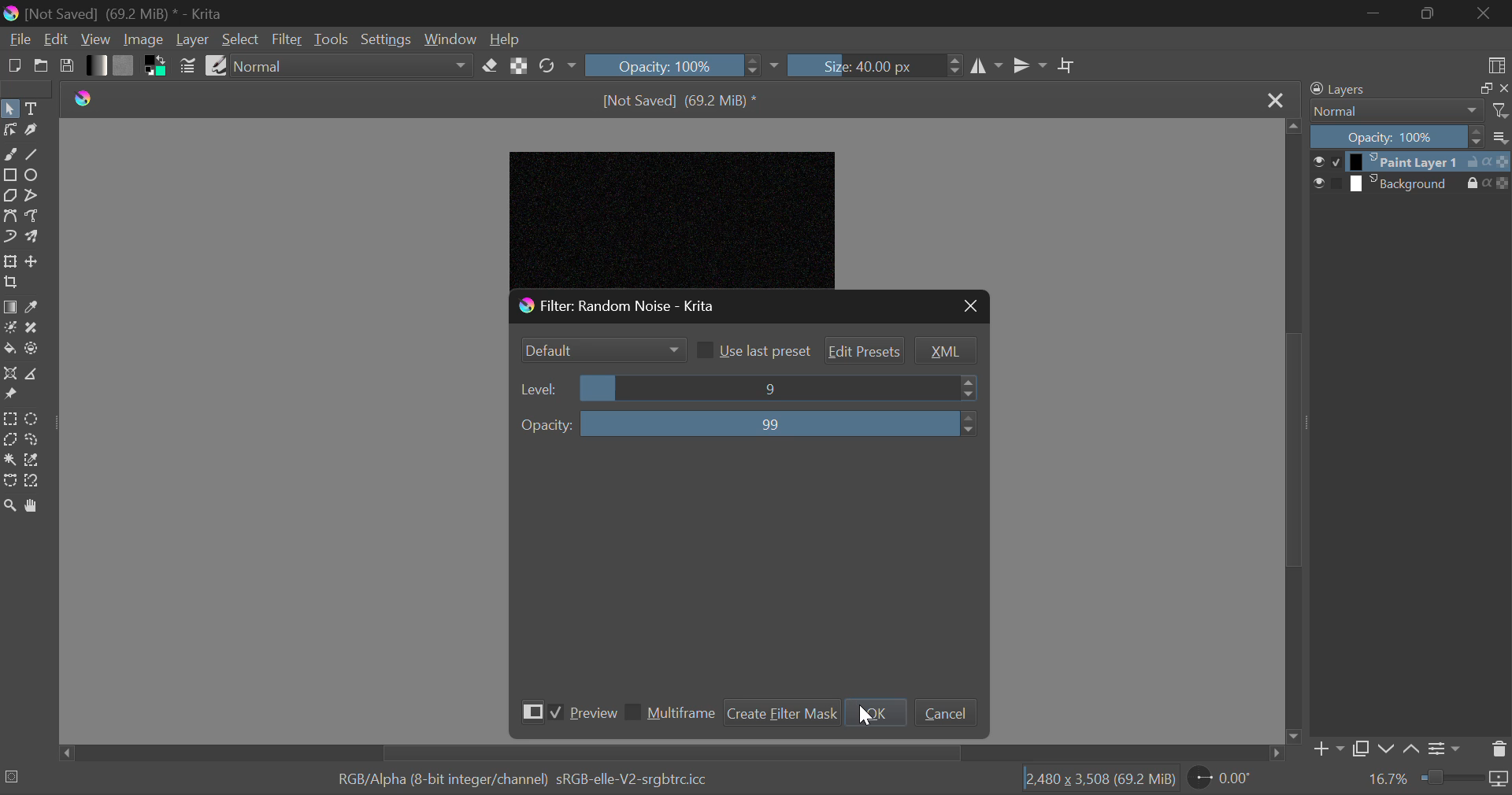 The height and width of the screenshot is (795, 1512). I want to click on Fill, so click(9, 348).